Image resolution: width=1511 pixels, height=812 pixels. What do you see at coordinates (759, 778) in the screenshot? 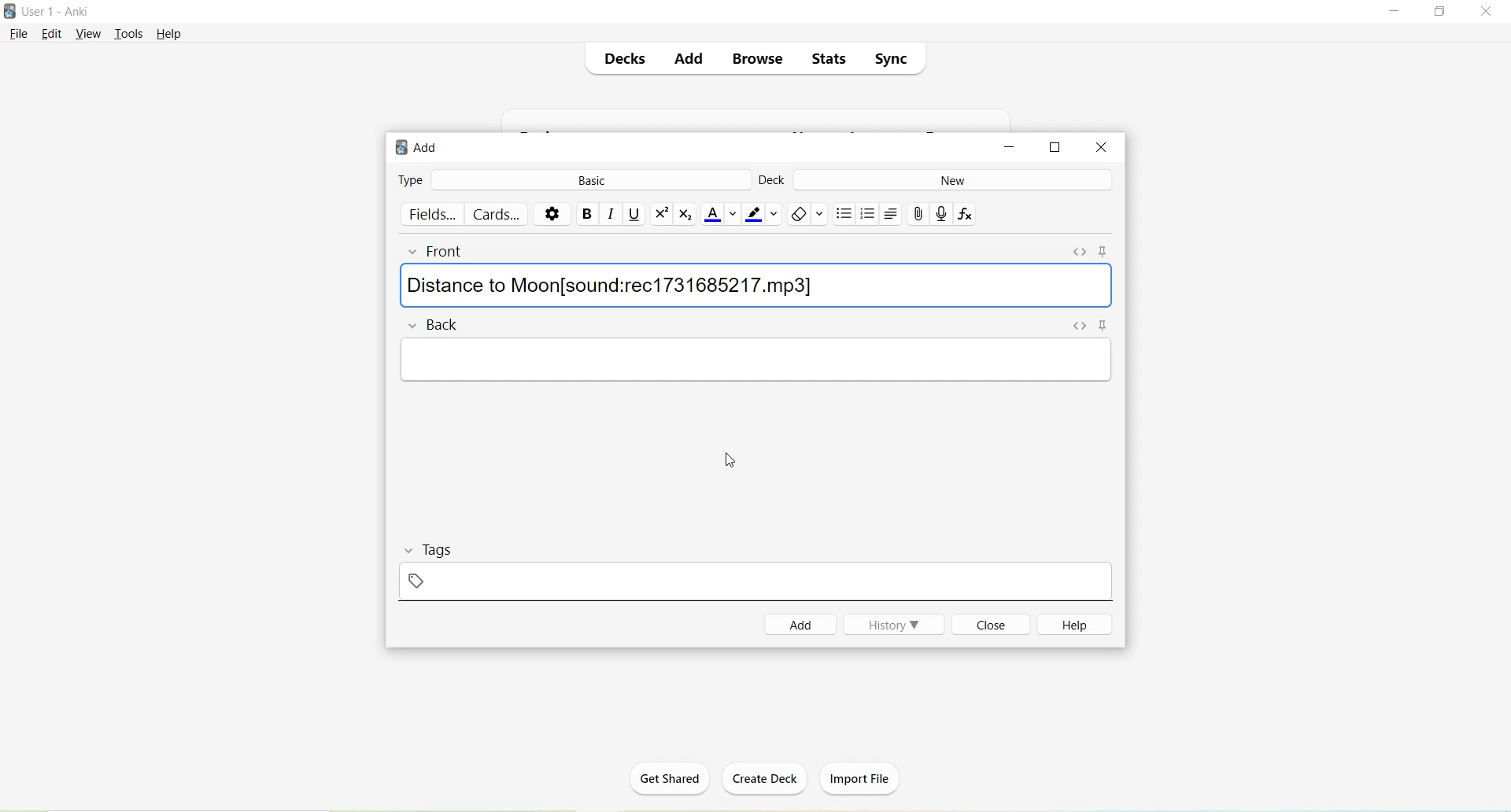
I see `Create Deck` at bounding box center [759, 778].